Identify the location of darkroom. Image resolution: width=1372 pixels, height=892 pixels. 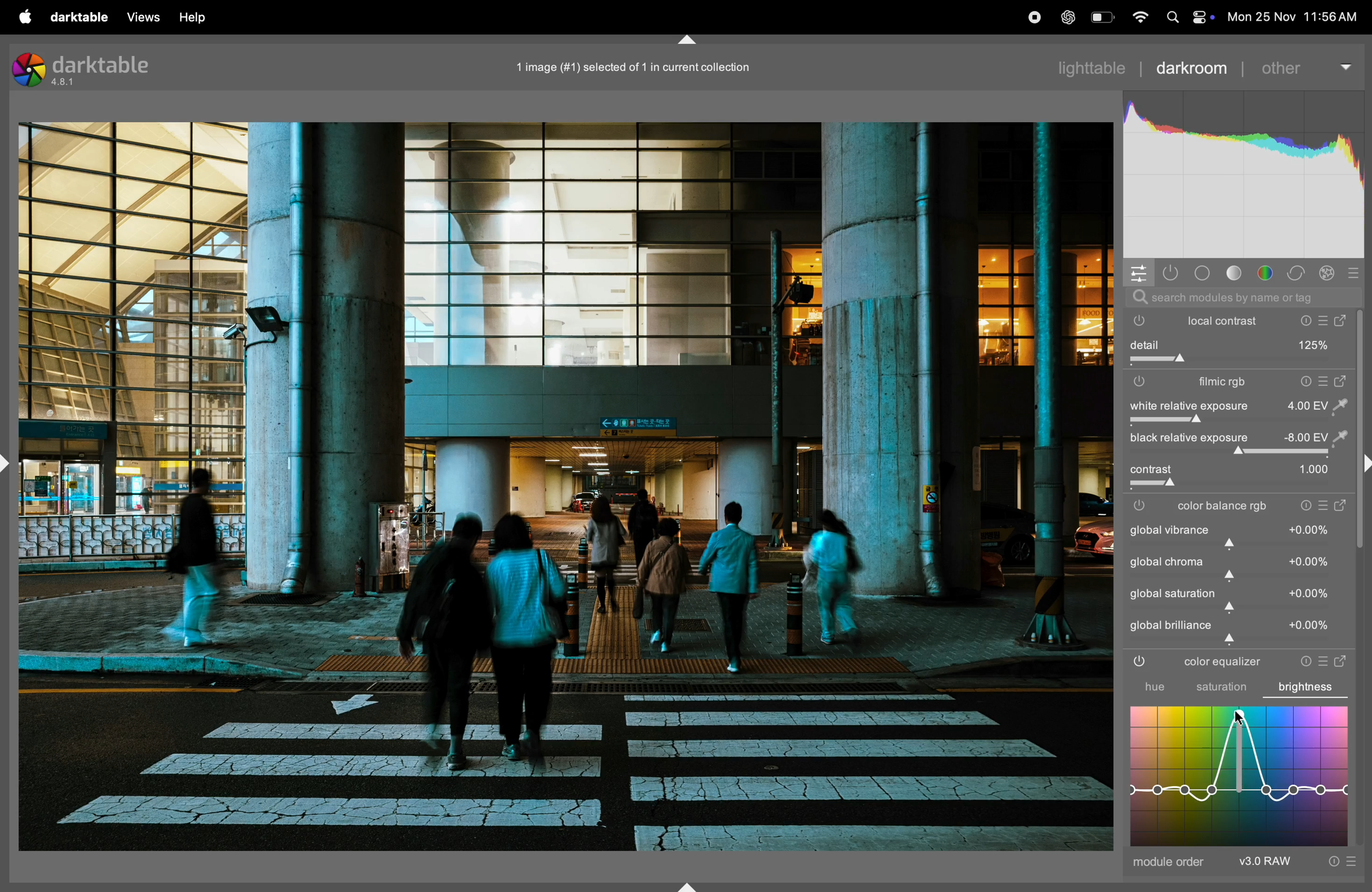
(1192, 66).